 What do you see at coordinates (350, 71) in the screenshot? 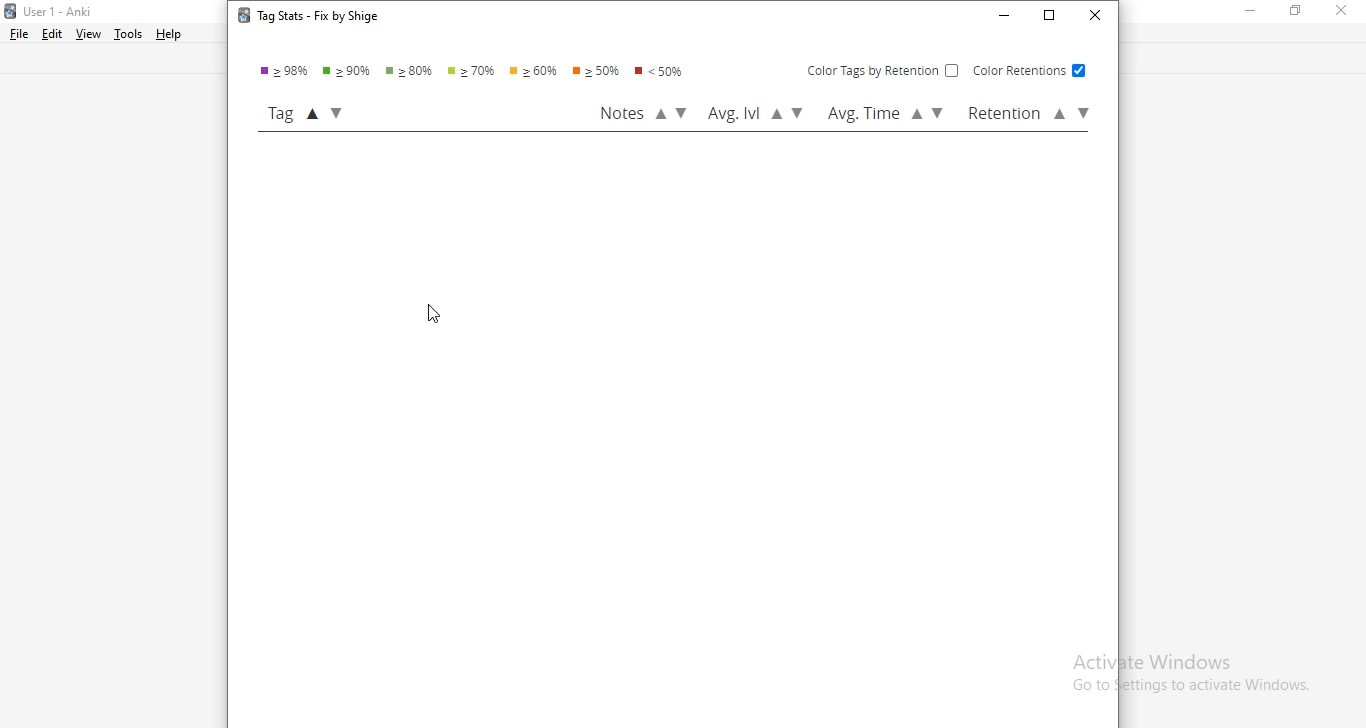
I see `>90%` at bounding box center [350, 71].